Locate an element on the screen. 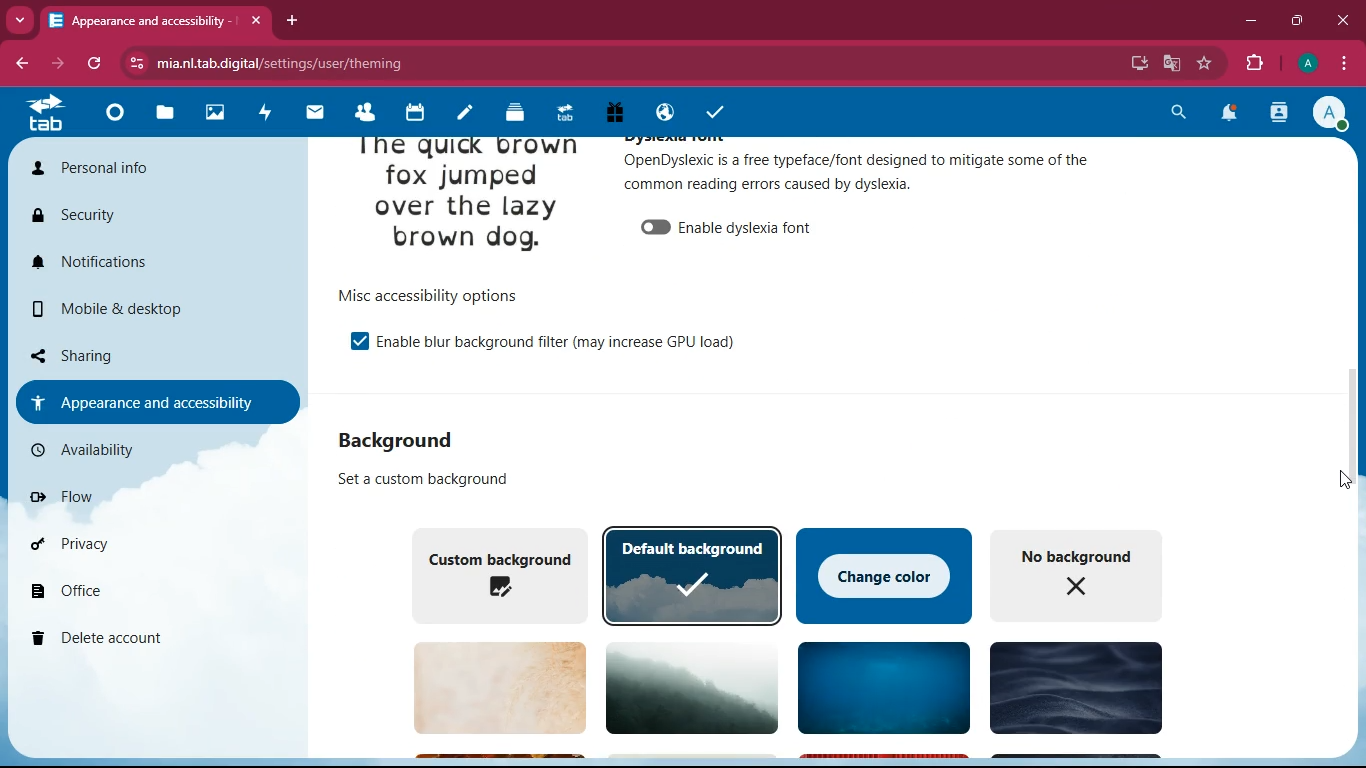 The height and width of the screenshot is (768, 1366). office is located at coordinates (153, 594).